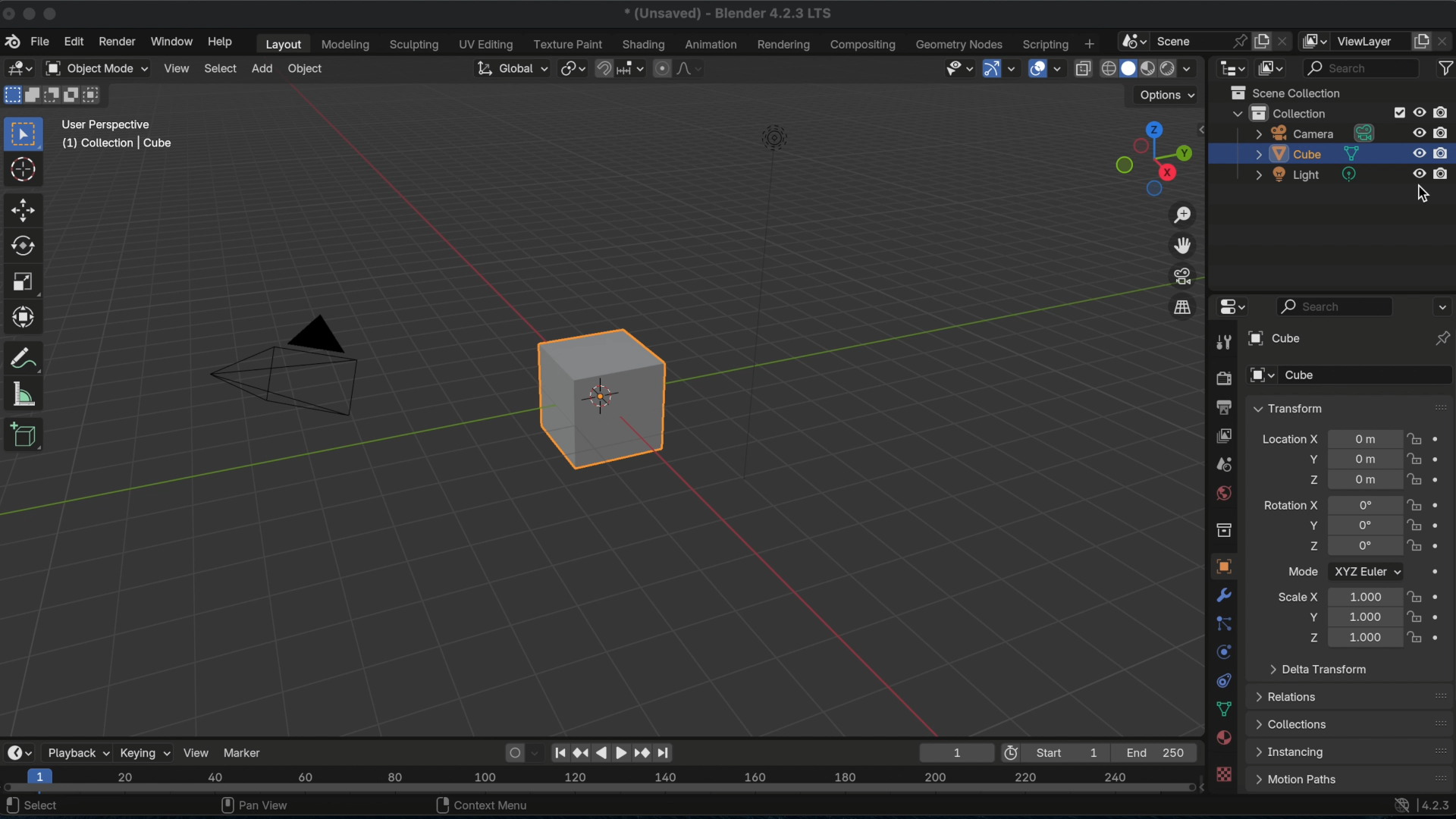 The image size is (1456, 819). Describe the element at coordinates (284, 366) in the screenshot. I see `camera object` at that location.